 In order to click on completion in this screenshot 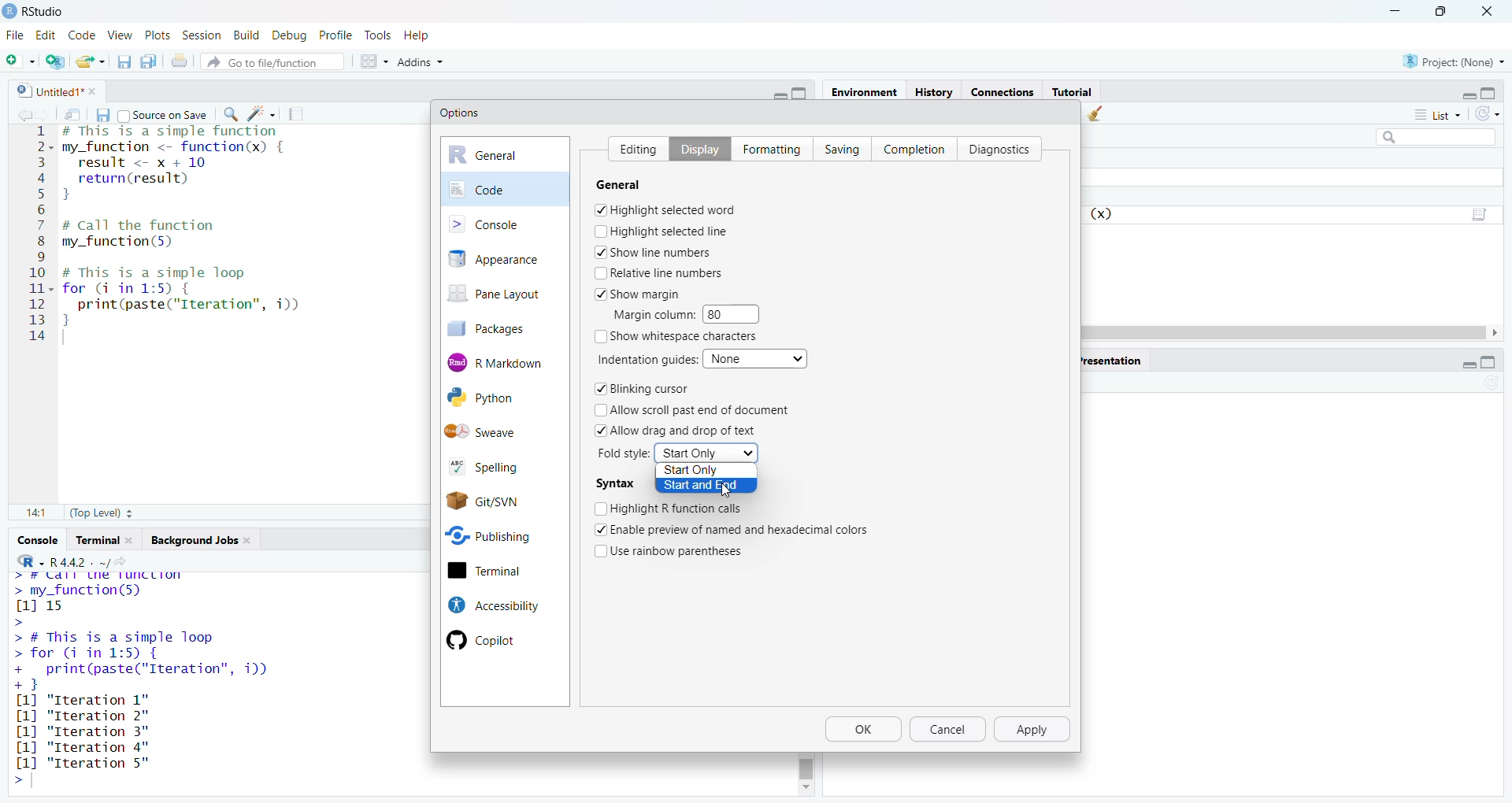, I will do `click(913, 147)`.